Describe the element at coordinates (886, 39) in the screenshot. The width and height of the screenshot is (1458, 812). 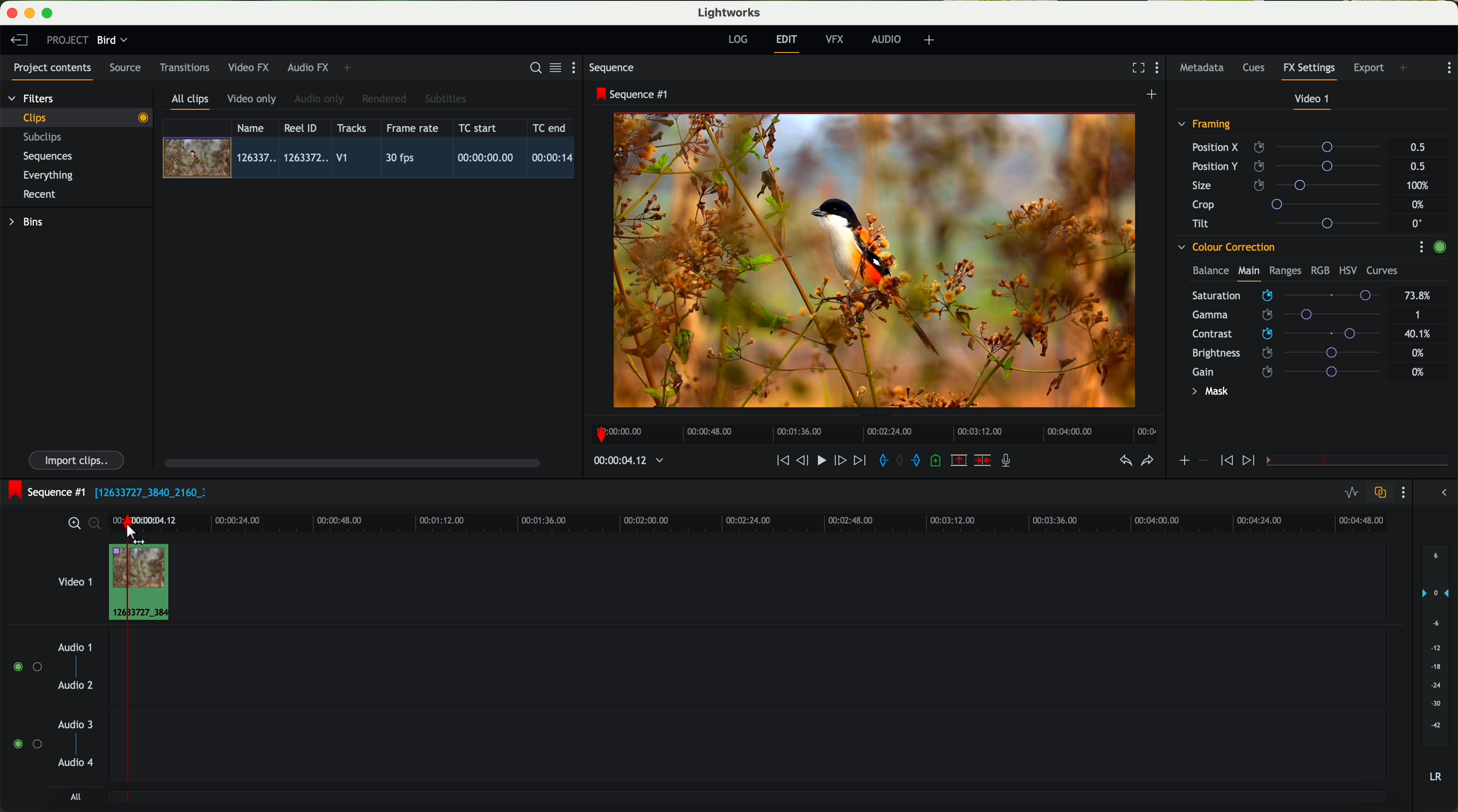
I see `audio` at that location.